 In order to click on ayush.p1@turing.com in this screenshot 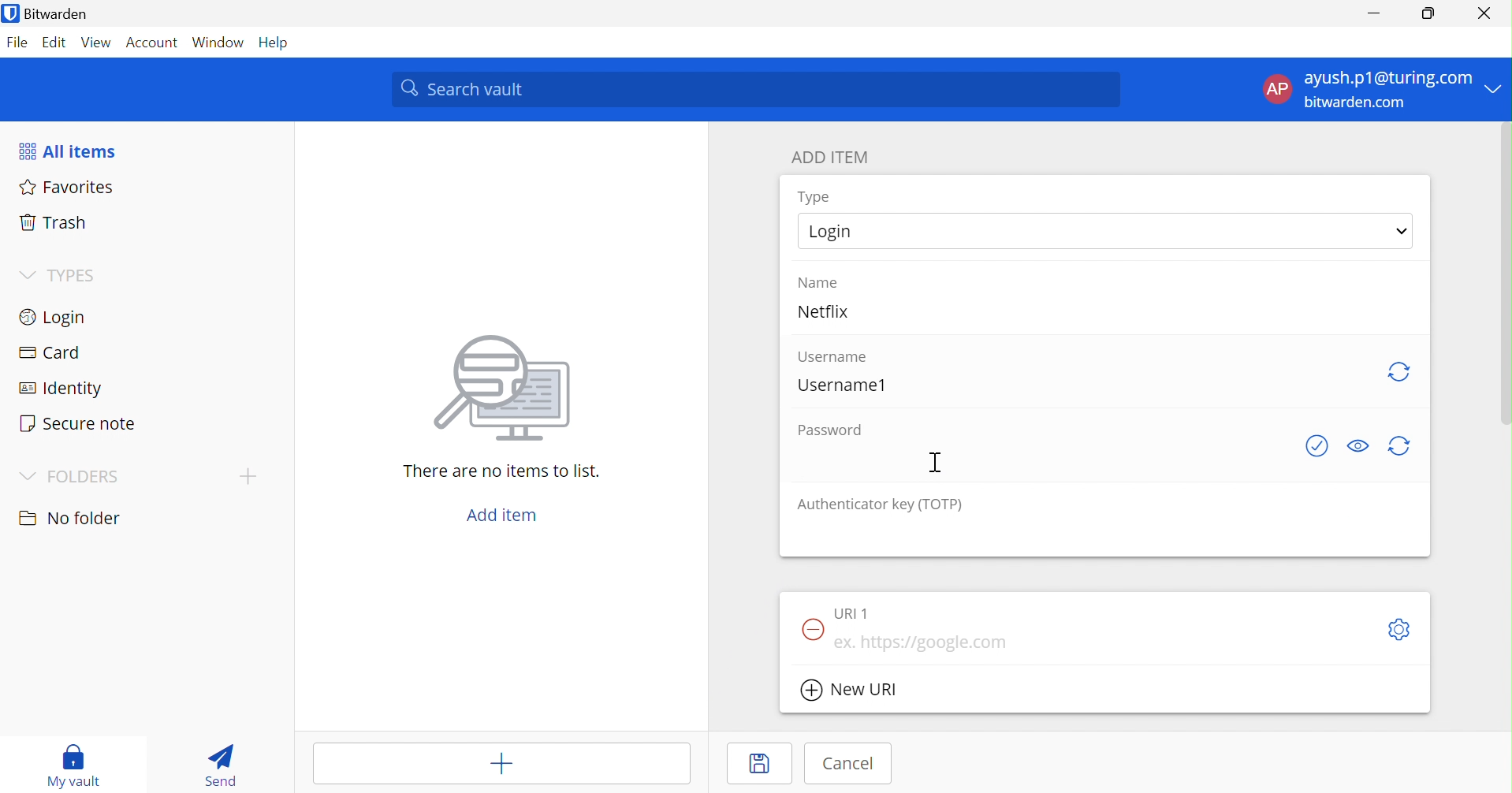, I will do `click(1387, 76)`.